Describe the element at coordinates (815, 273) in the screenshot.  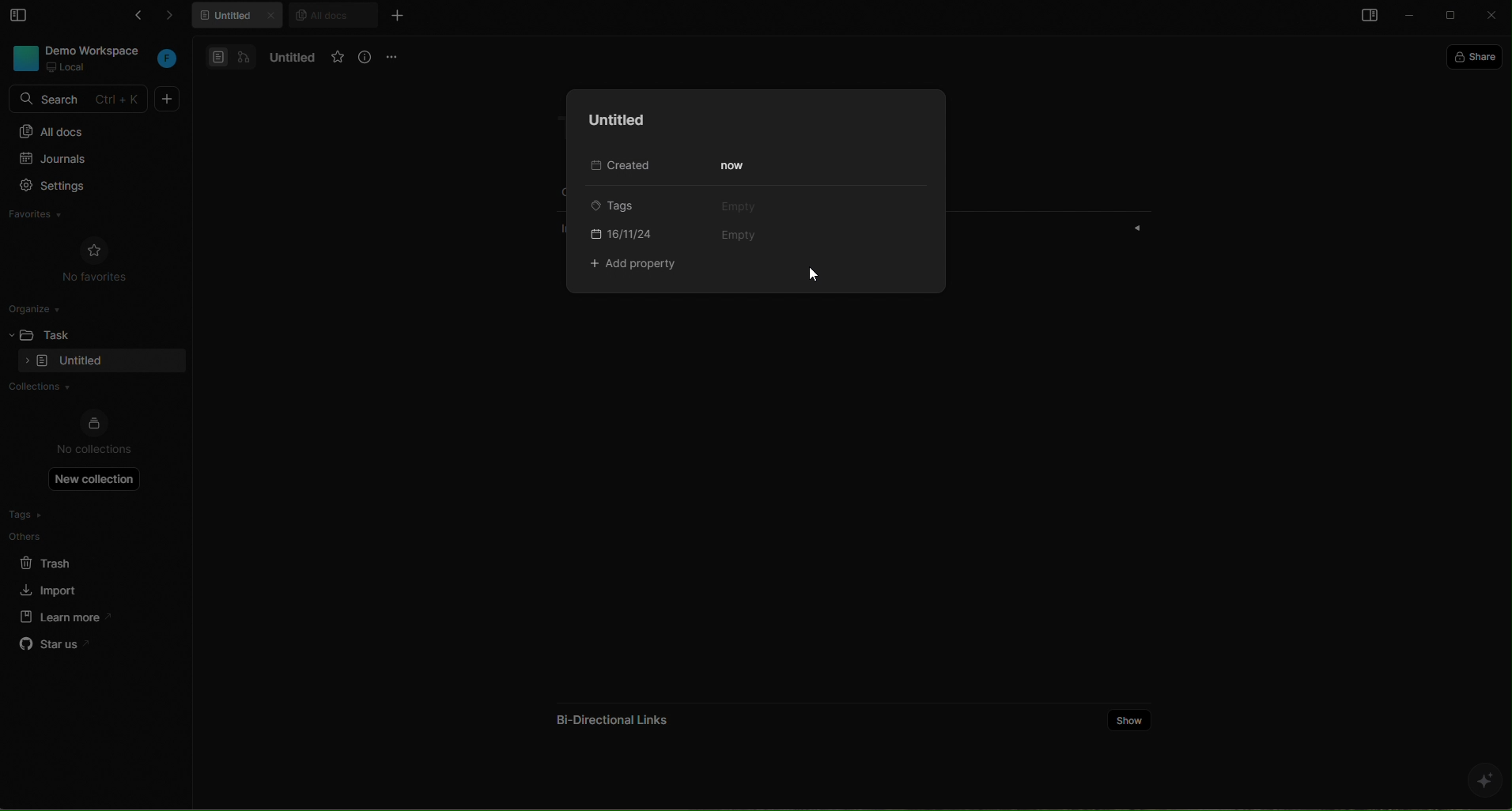
I see `cursor` at that location.